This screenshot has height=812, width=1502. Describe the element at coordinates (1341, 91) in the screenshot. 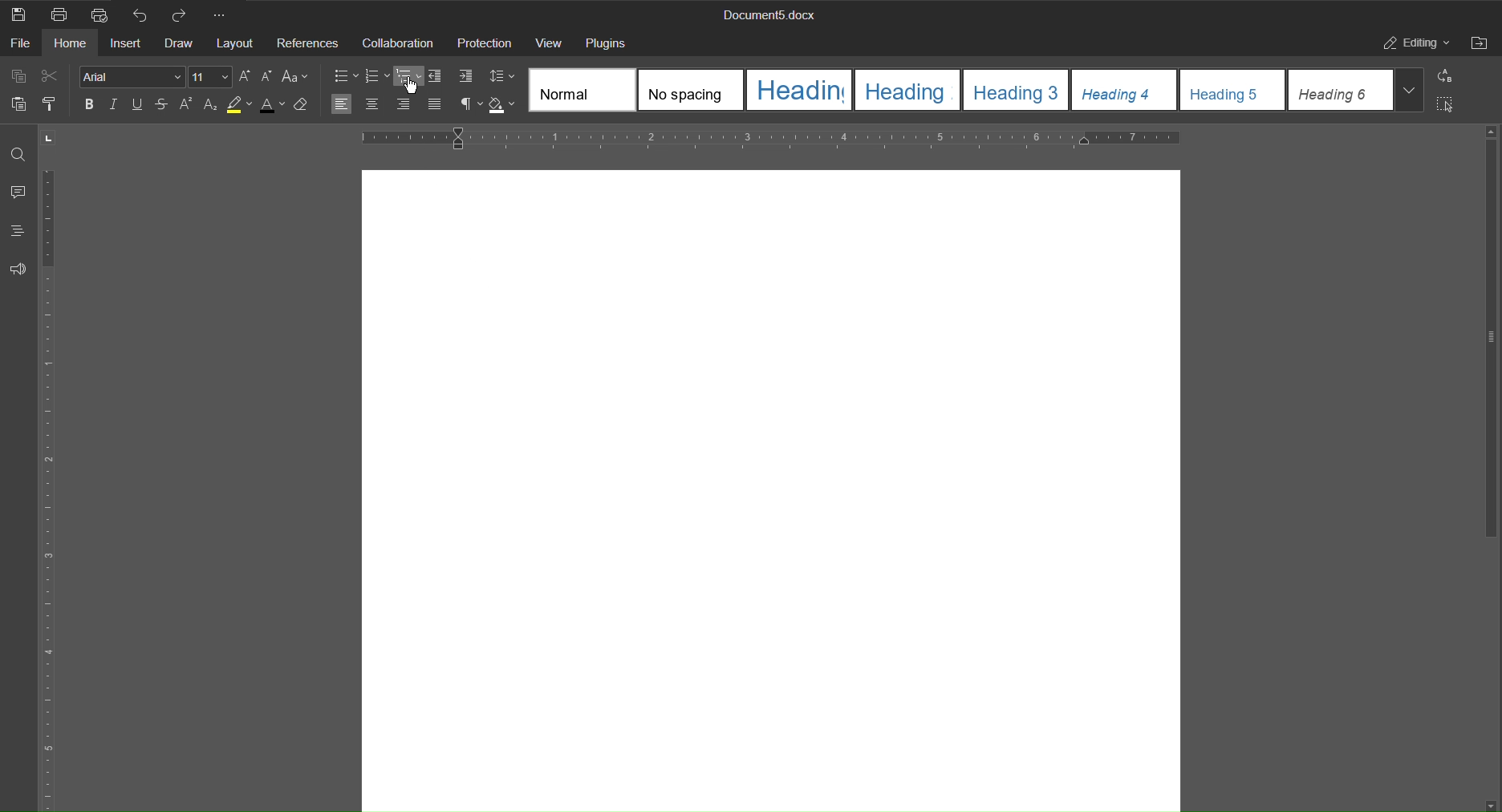

I see `Heading 6` at that location.